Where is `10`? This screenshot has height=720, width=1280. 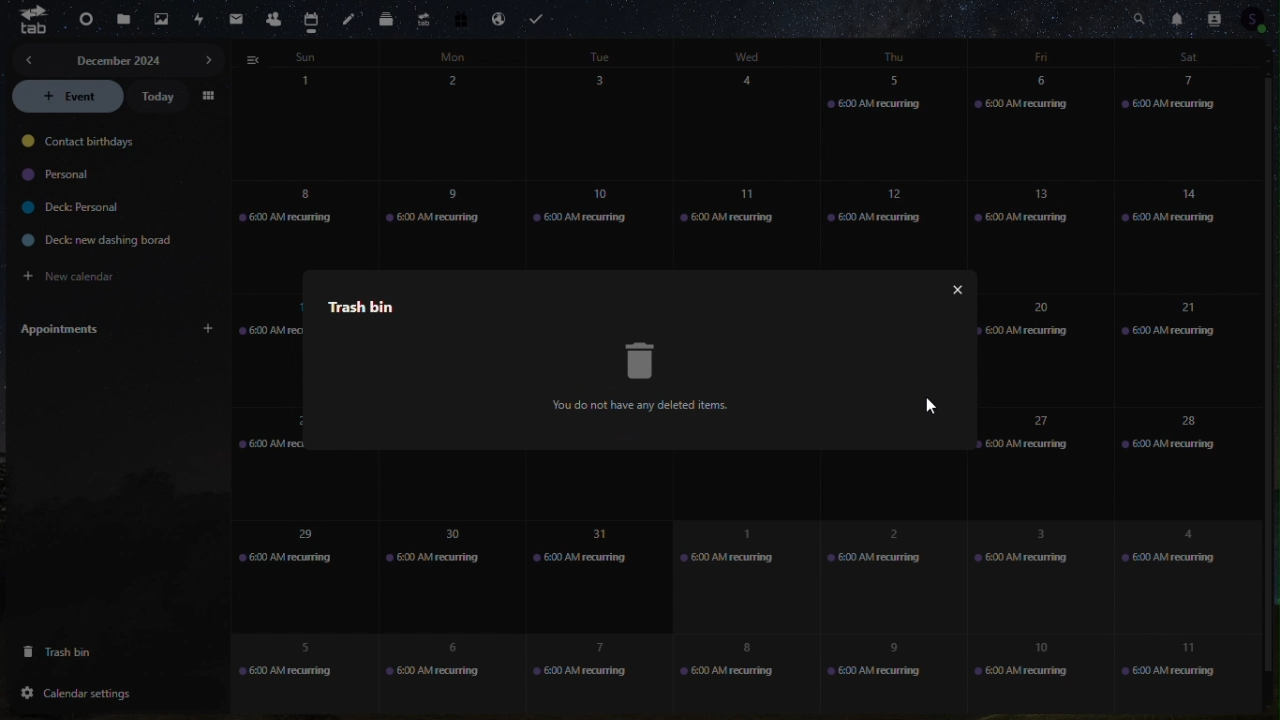
10 is located at coordinates (594, 207).